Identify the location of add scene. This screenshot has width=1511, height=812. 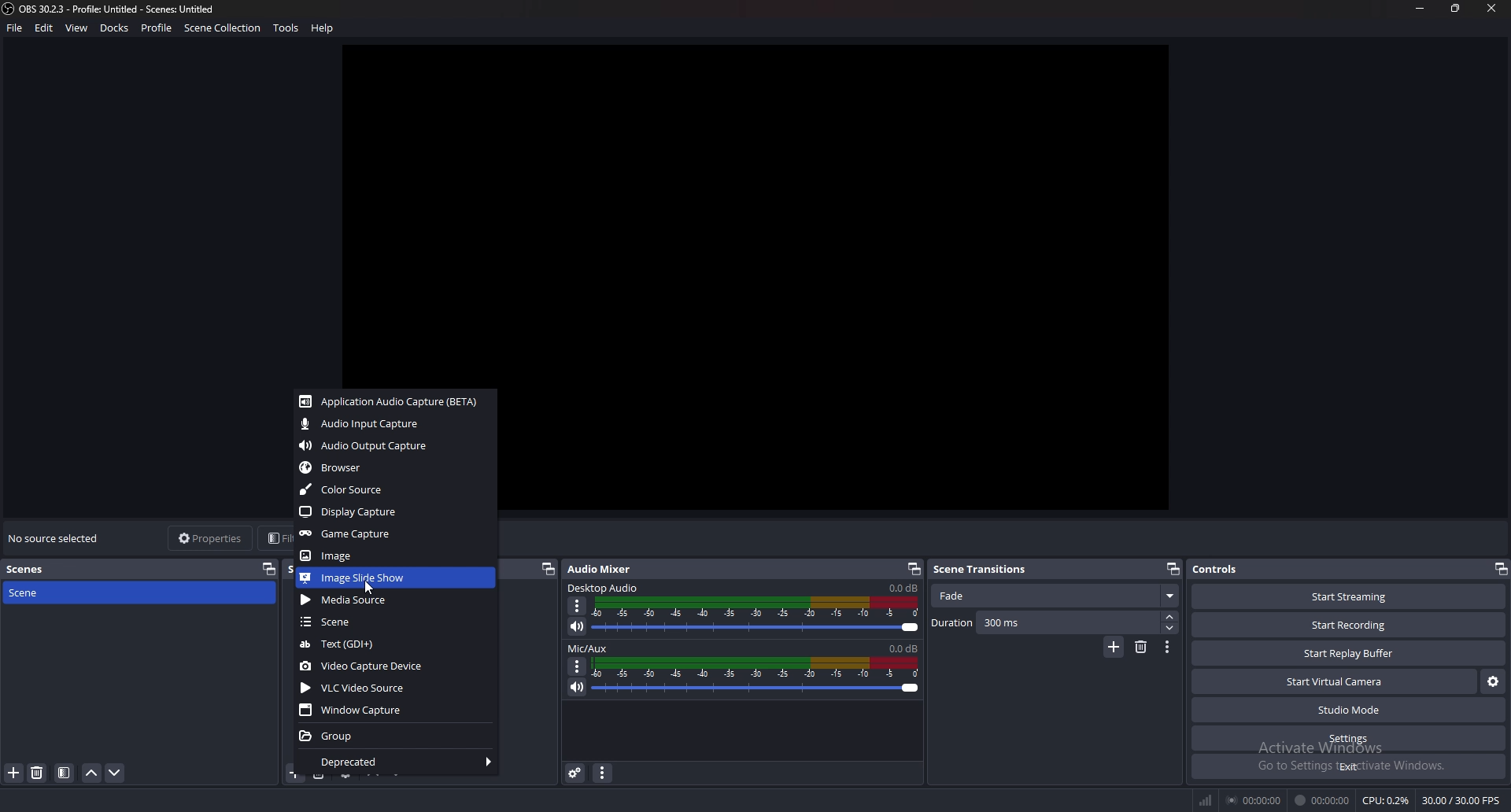
(15, 773).